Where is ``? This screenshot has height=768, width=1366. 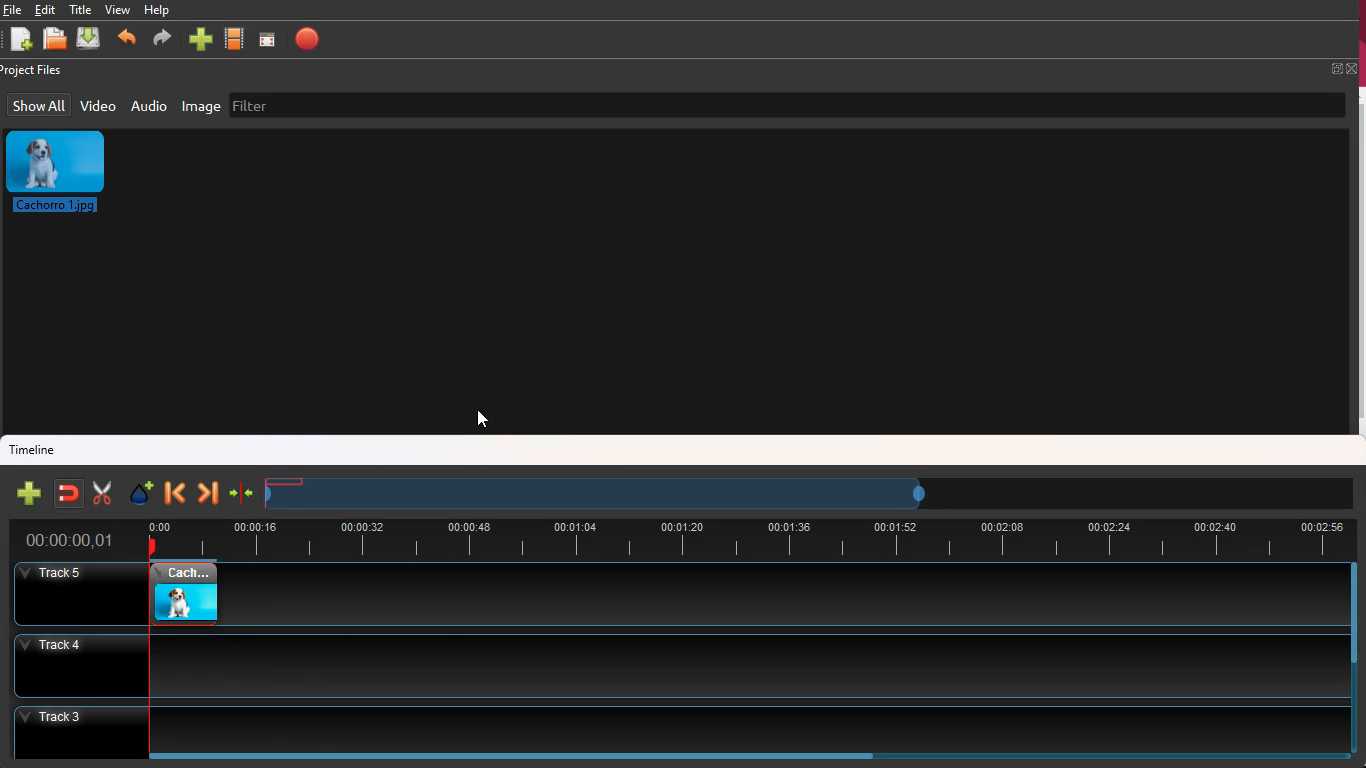
 is located at coordinates (78, 596).